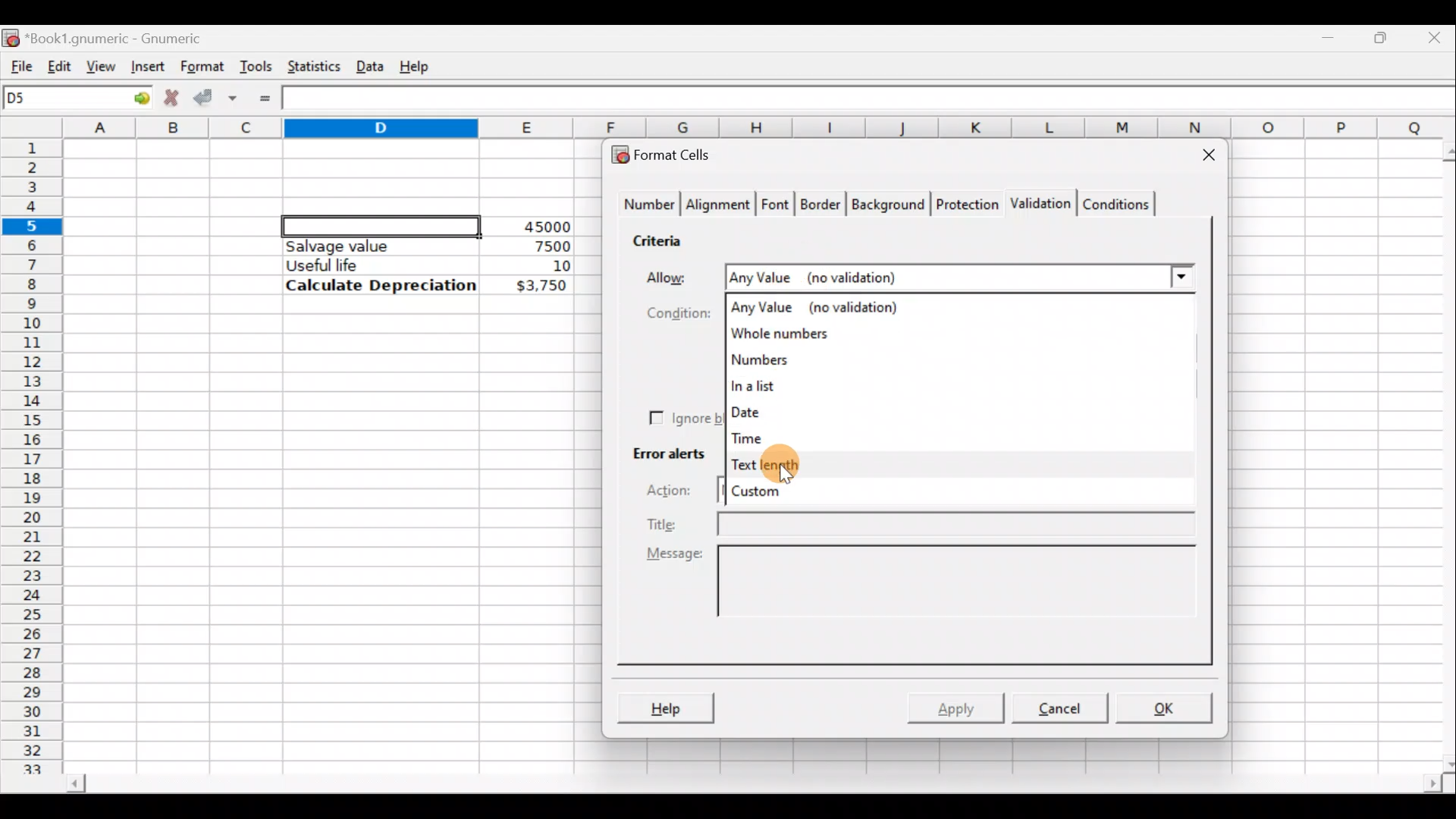  Describe the element at coordinates (372, 265) in the screenshot. I see `Useful life` at that location.